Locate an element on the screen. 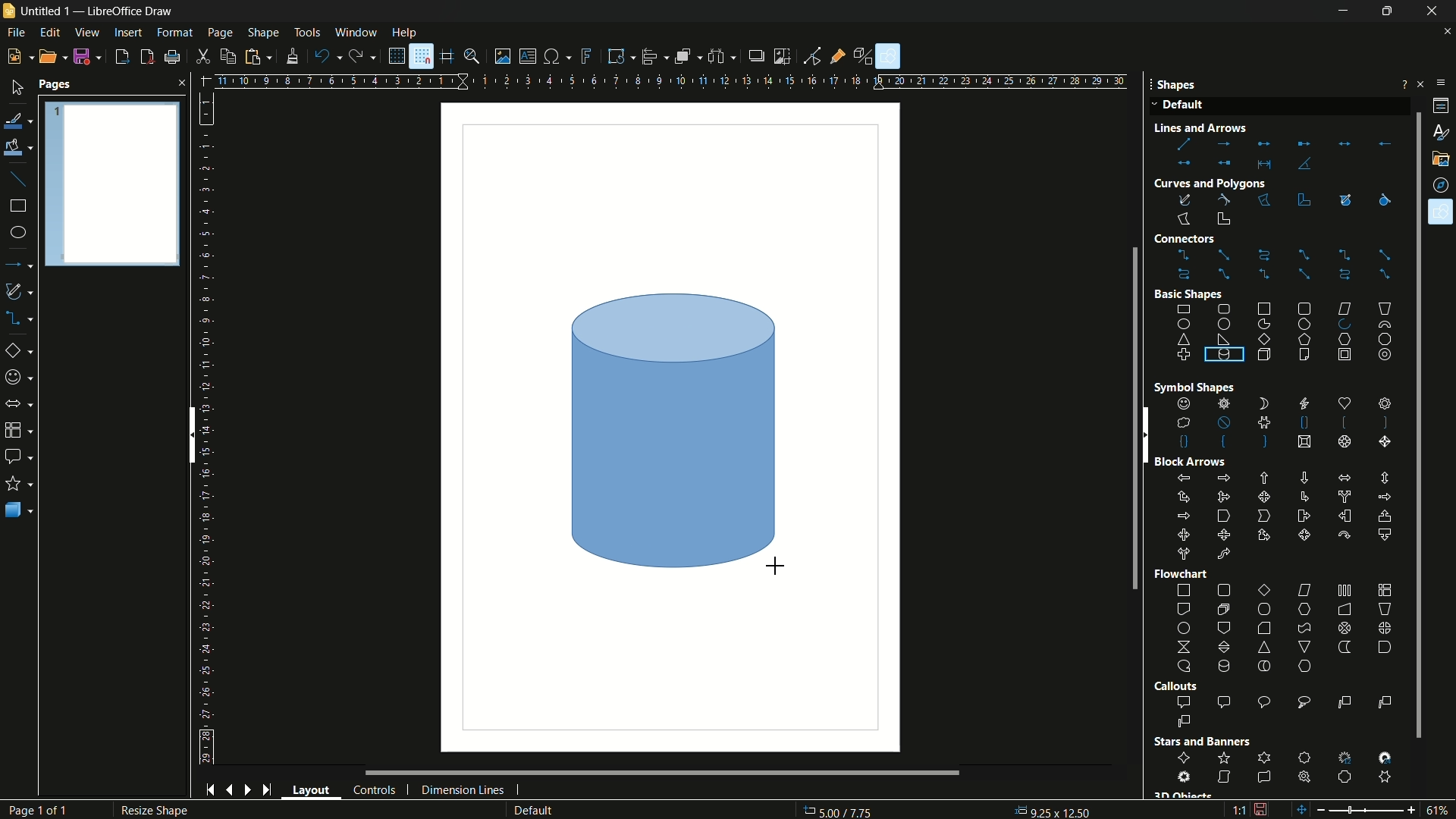  Callouts is located at coordinates (1175, 686).